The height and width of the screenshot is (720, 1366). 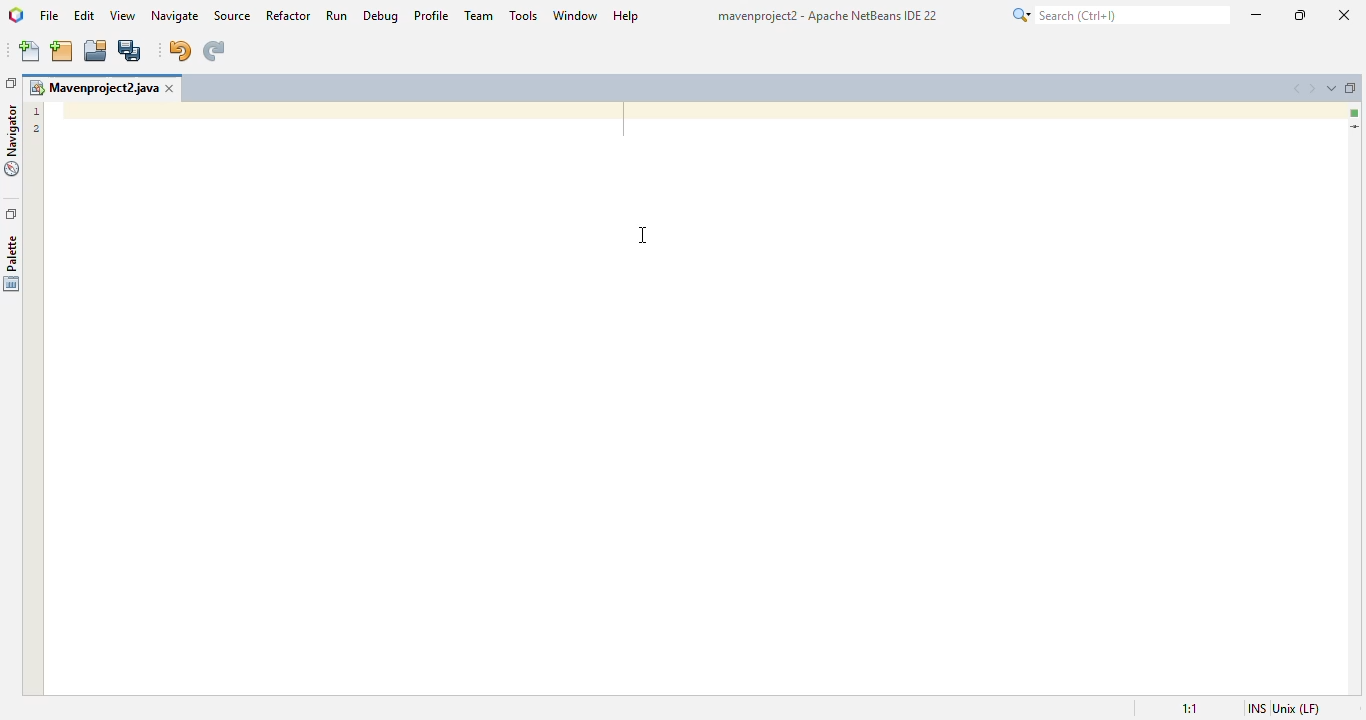 What do you see at coordinates (11, 214) in the screenshot?
I see `restore window group` at bounding box center [11, 214].